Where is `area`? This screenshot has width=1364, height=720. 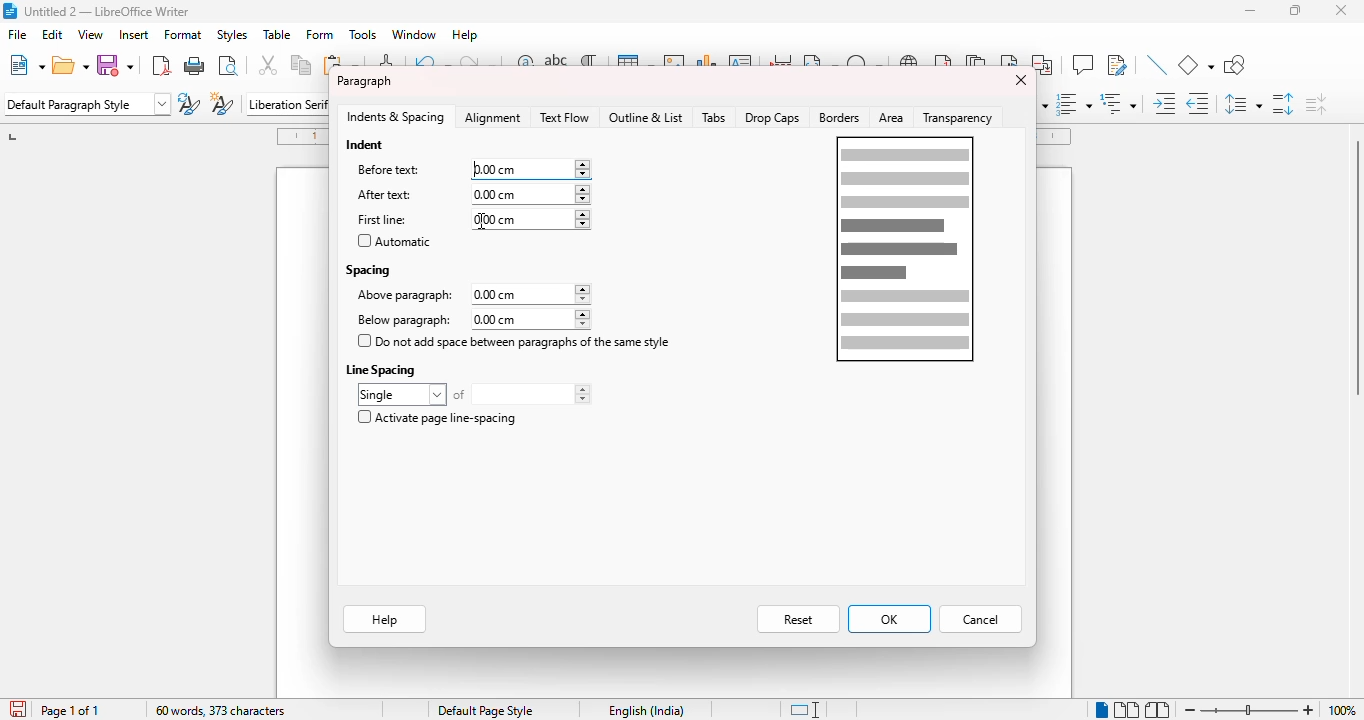 area is located at coordinates (892, 118).